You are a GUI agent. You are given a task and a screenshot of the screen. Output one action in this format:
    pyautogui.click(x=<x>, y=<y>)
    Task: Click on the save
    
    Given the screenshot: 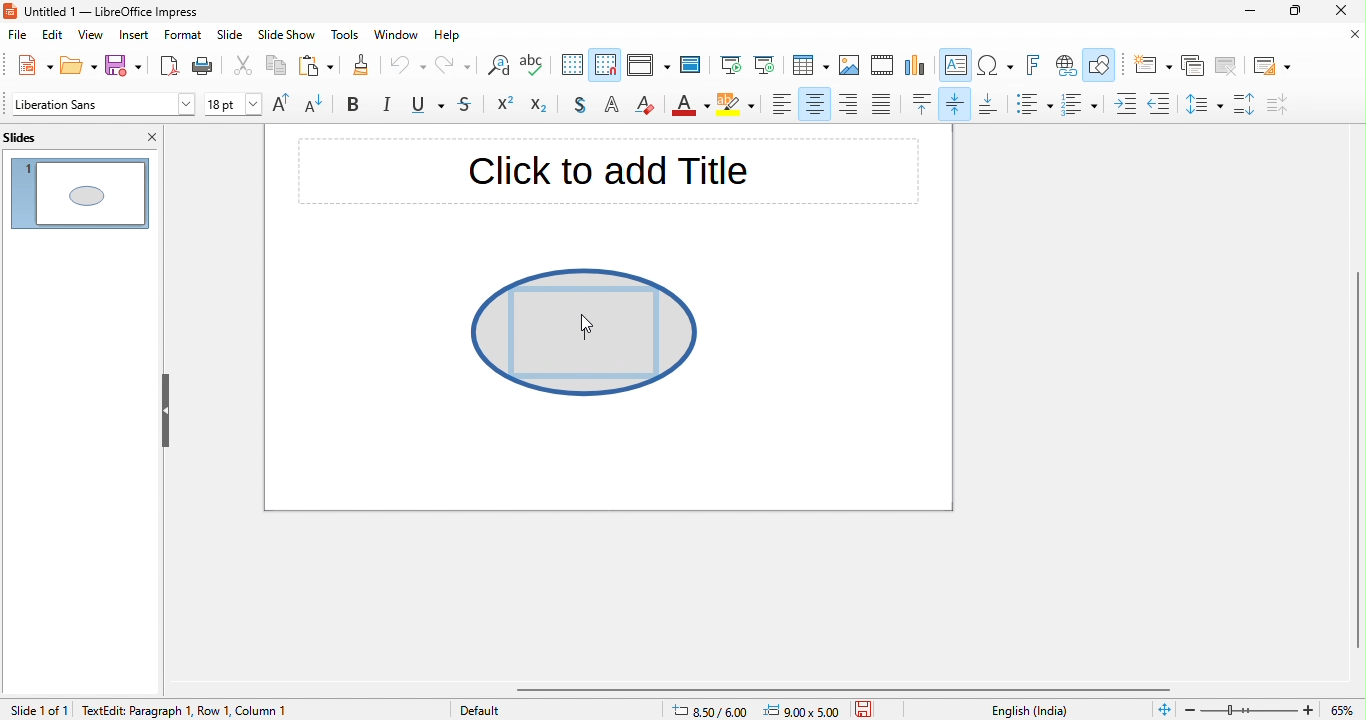 What is the action you would take?
    pyautogui.click(x=123, y=67)
    